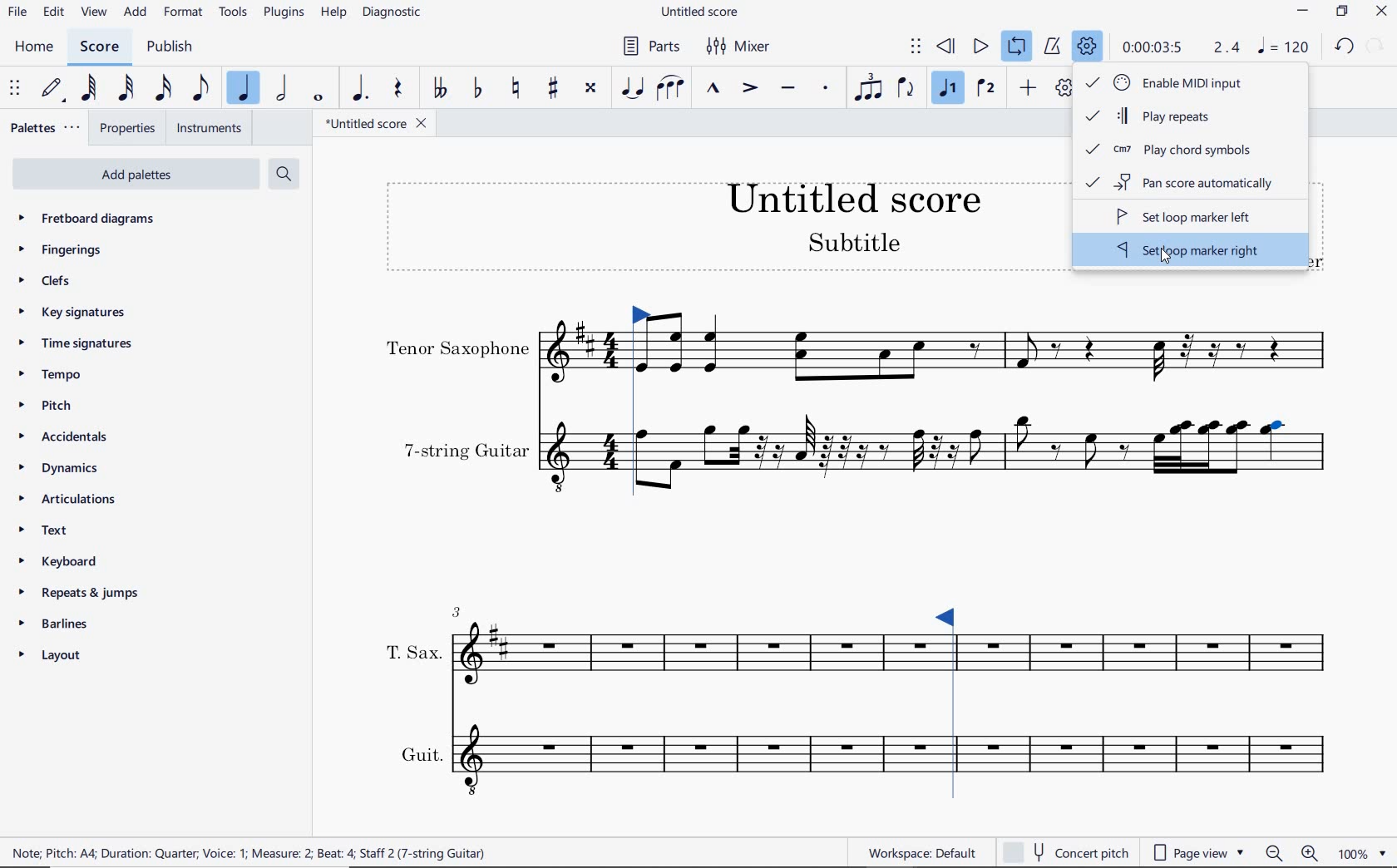 This screenshot has width=1397, height=868. Describe the element at coordinates (439, 90) in the screenshot. I see `TOGGLE-DOUBLE FLAT` at that location.